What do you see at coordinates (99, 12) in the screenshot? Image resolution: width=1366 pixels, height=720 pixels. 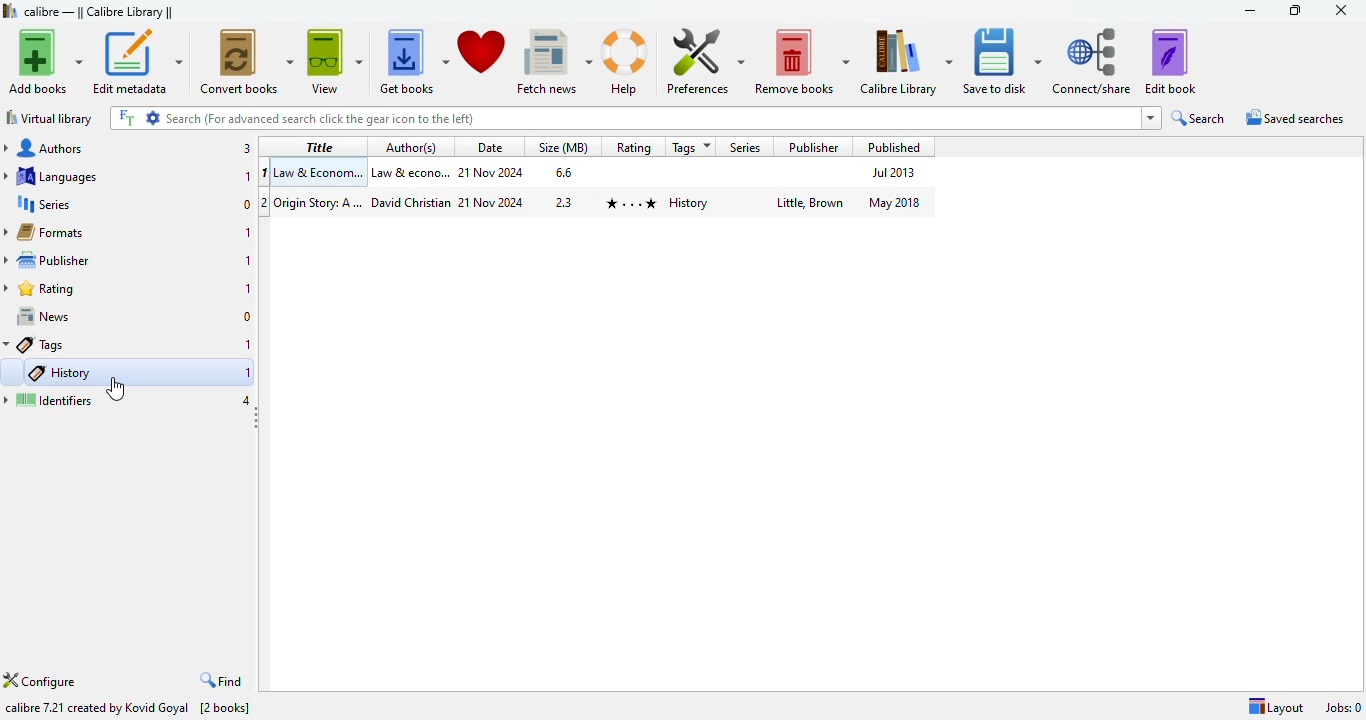 I see `calibre library` at bounding box center [99, 12].